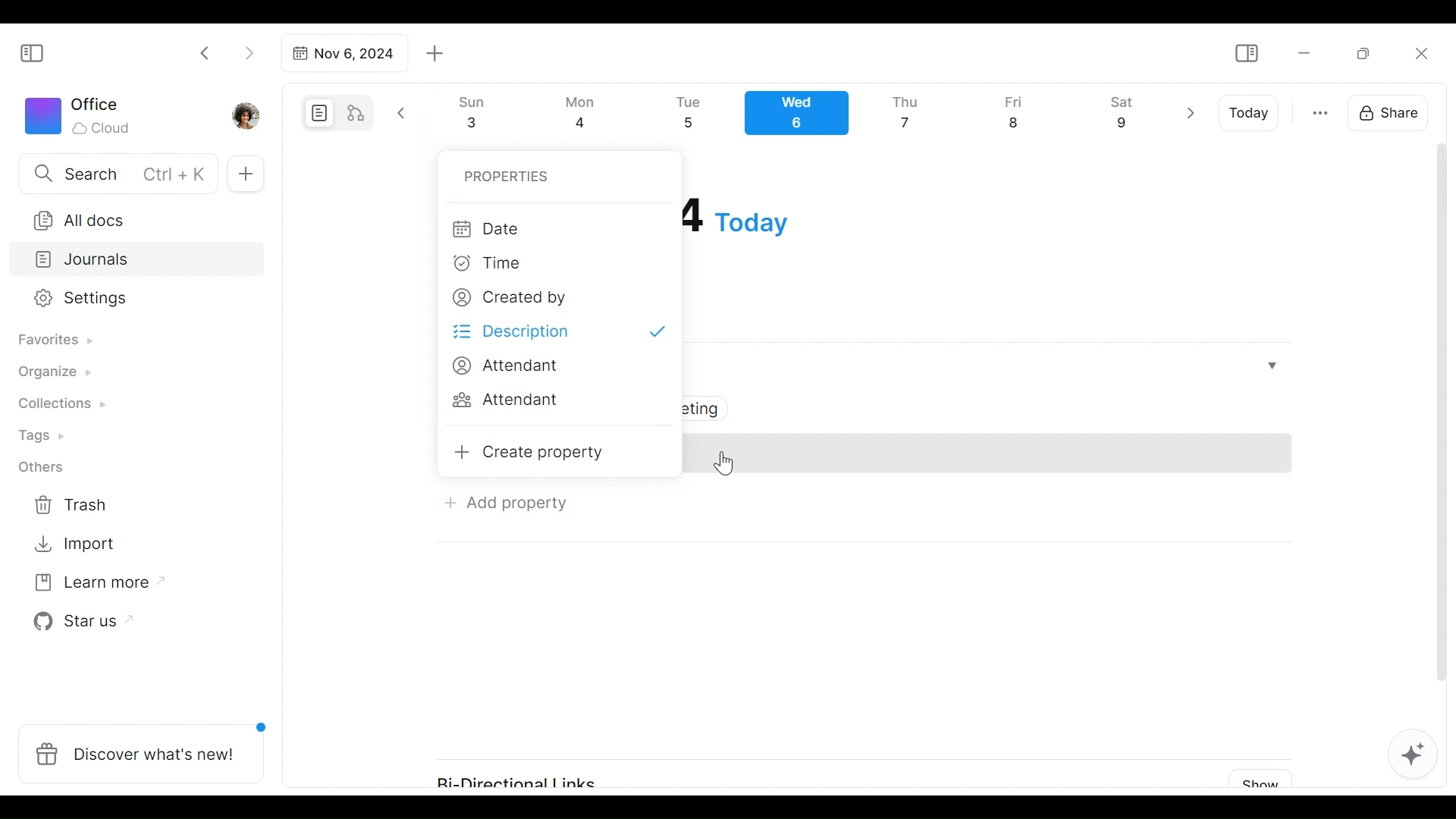  Describe the element at coordinates (72, 505) in the screenshot. I see `Trash` at that location.